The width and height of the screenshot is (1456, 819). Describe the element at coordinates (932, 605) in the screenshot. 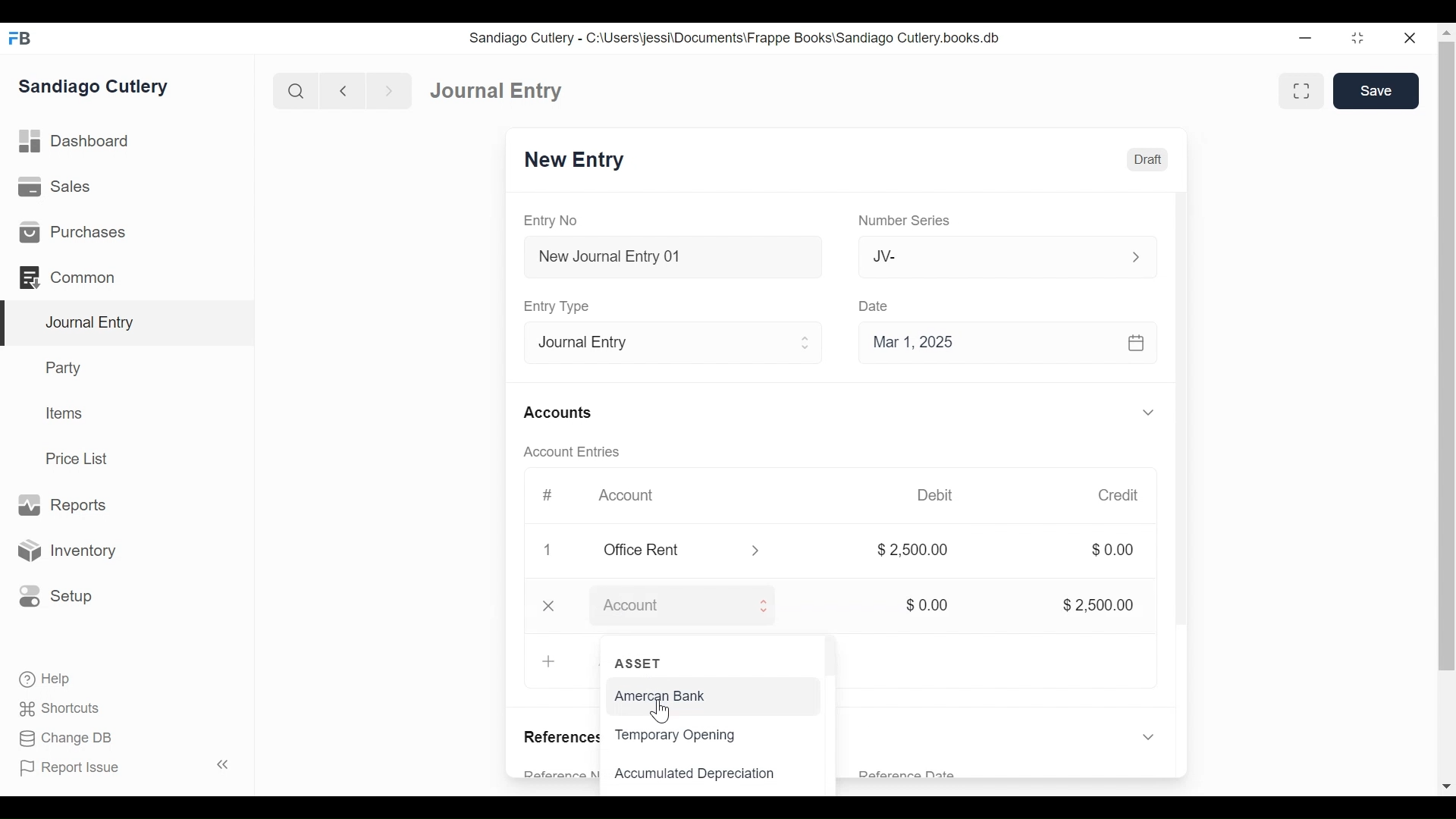

I see `$0.00` at that location.